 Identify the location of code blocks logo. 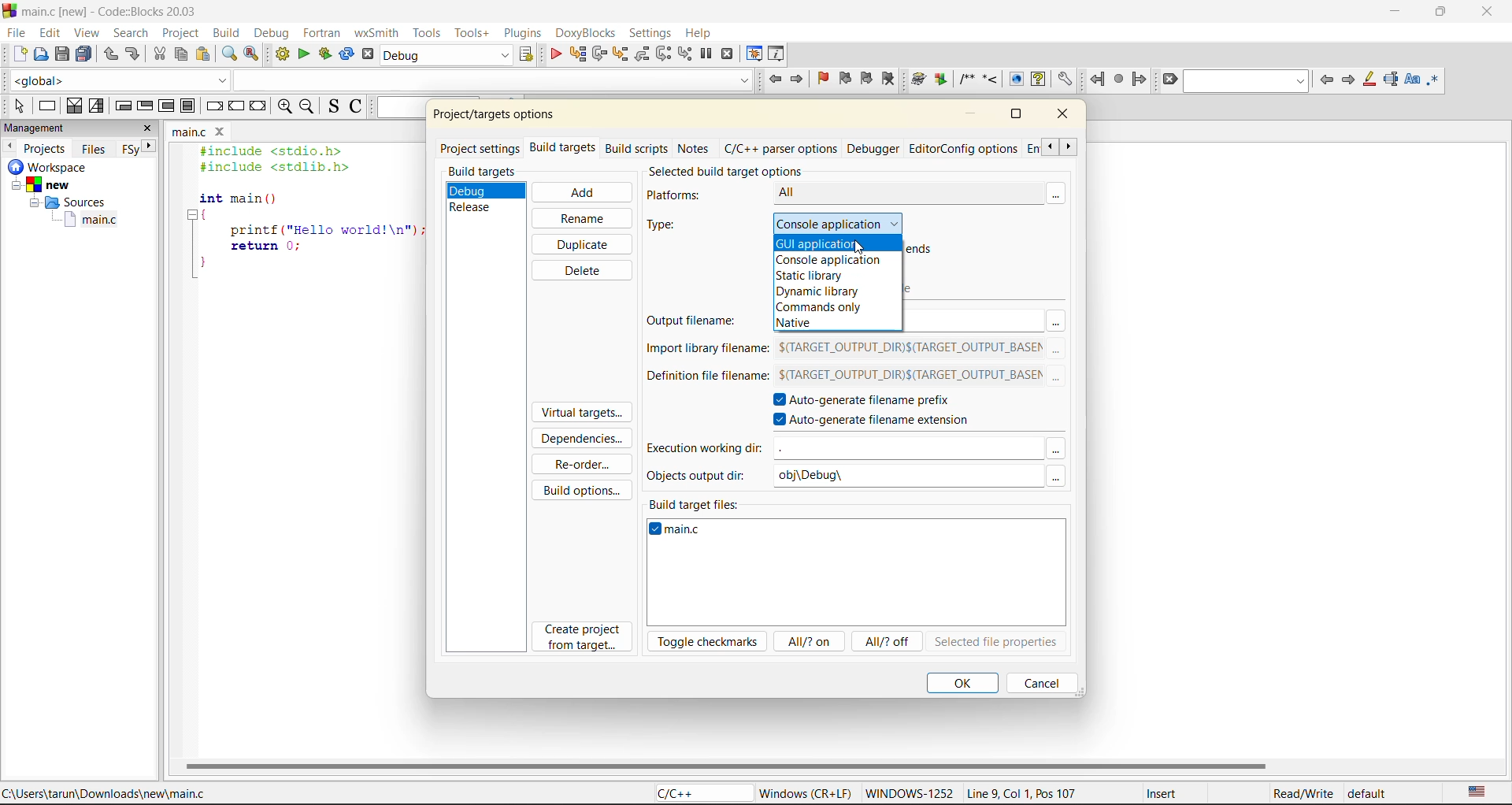
(9, 11).